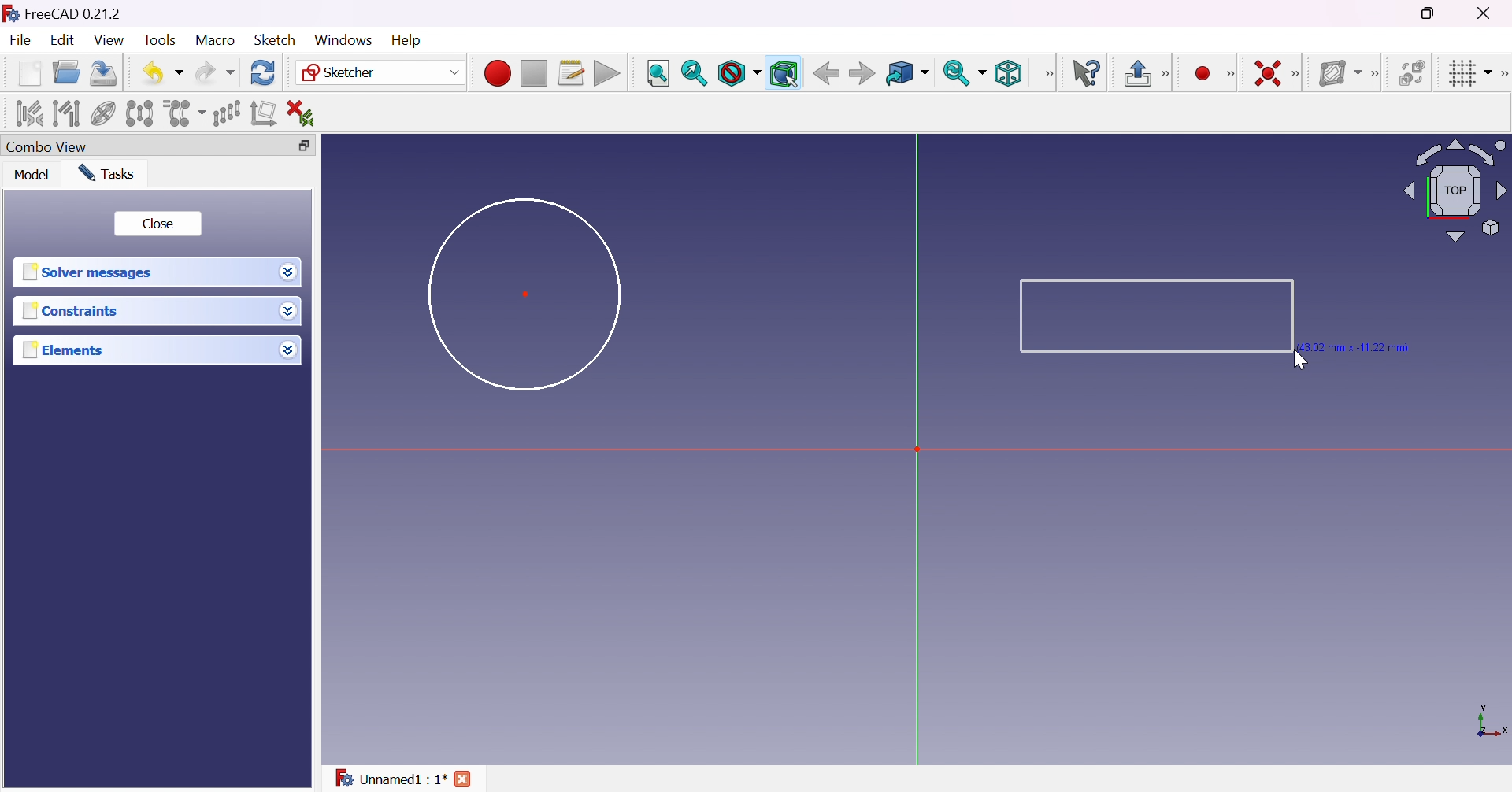 The width and height of the screenshot is (1512, 792). I want to click on Open..., so click(65, 73).